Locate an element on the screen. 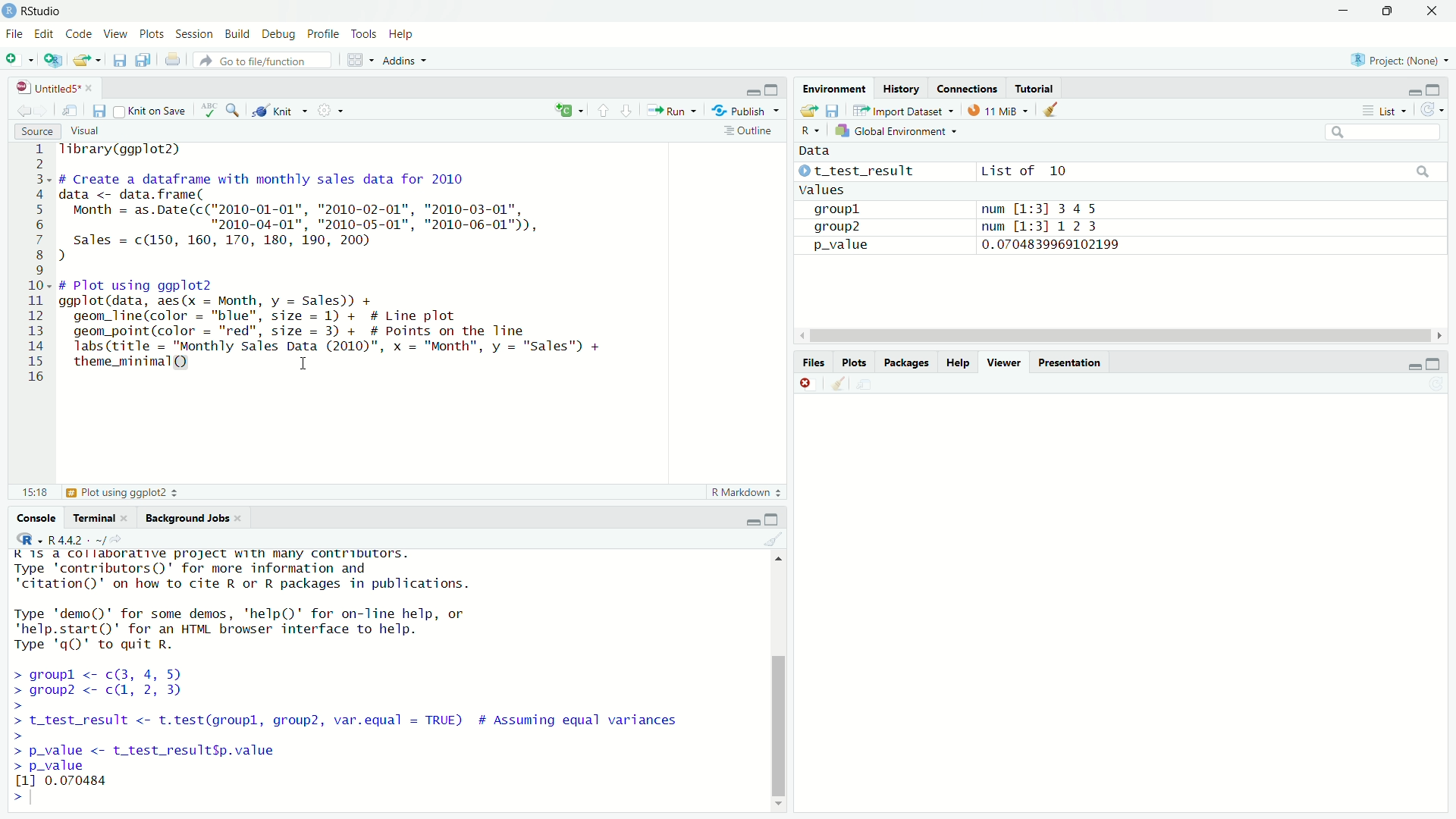 The height and width of the screenshot is (819, 1456). scroll bar is located at coordinates (775, 679).